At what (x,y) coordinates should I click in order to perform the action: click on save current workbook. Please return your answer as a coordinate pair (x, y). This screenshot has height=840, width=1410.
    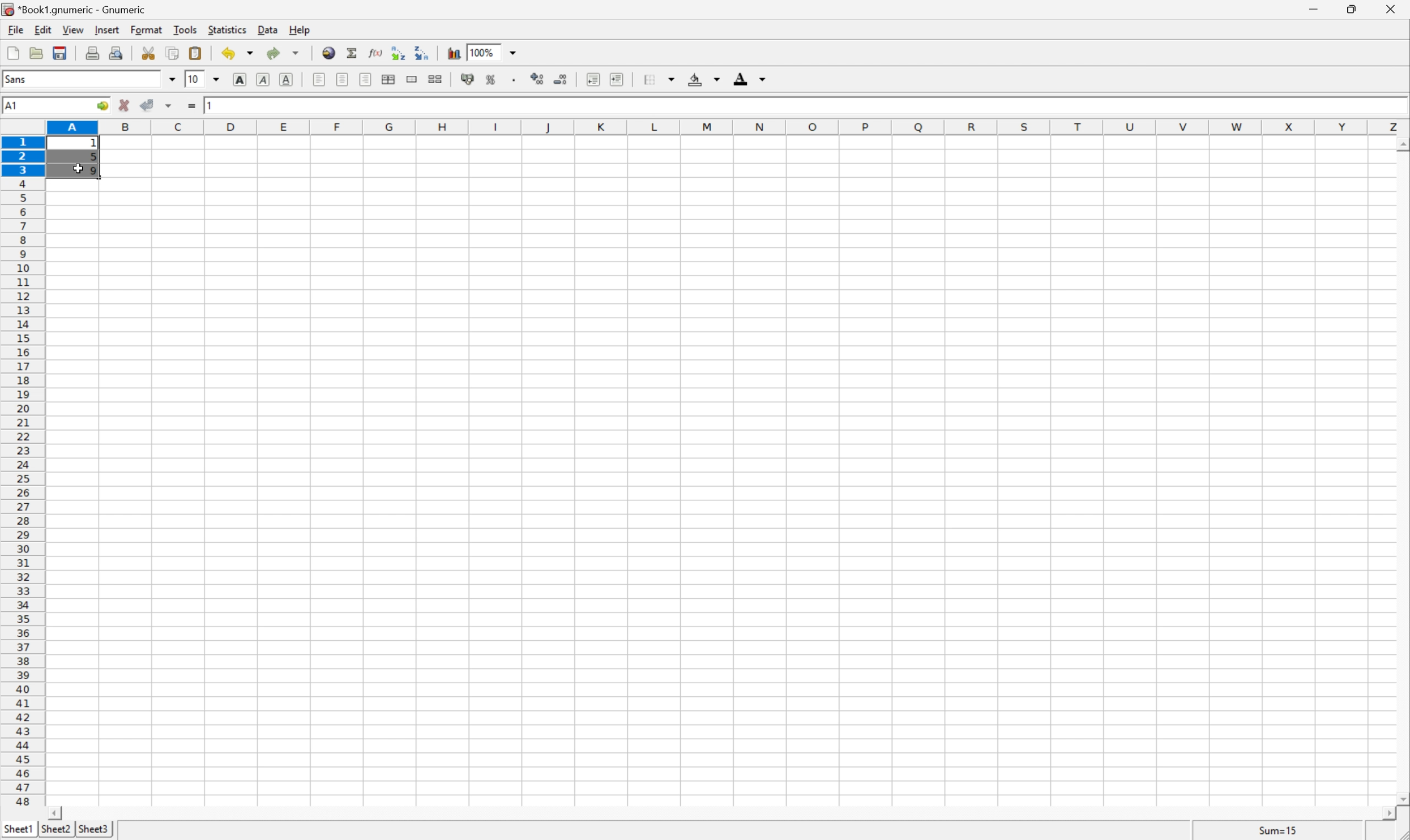
    Looking at the image, I should click on (60, 53).